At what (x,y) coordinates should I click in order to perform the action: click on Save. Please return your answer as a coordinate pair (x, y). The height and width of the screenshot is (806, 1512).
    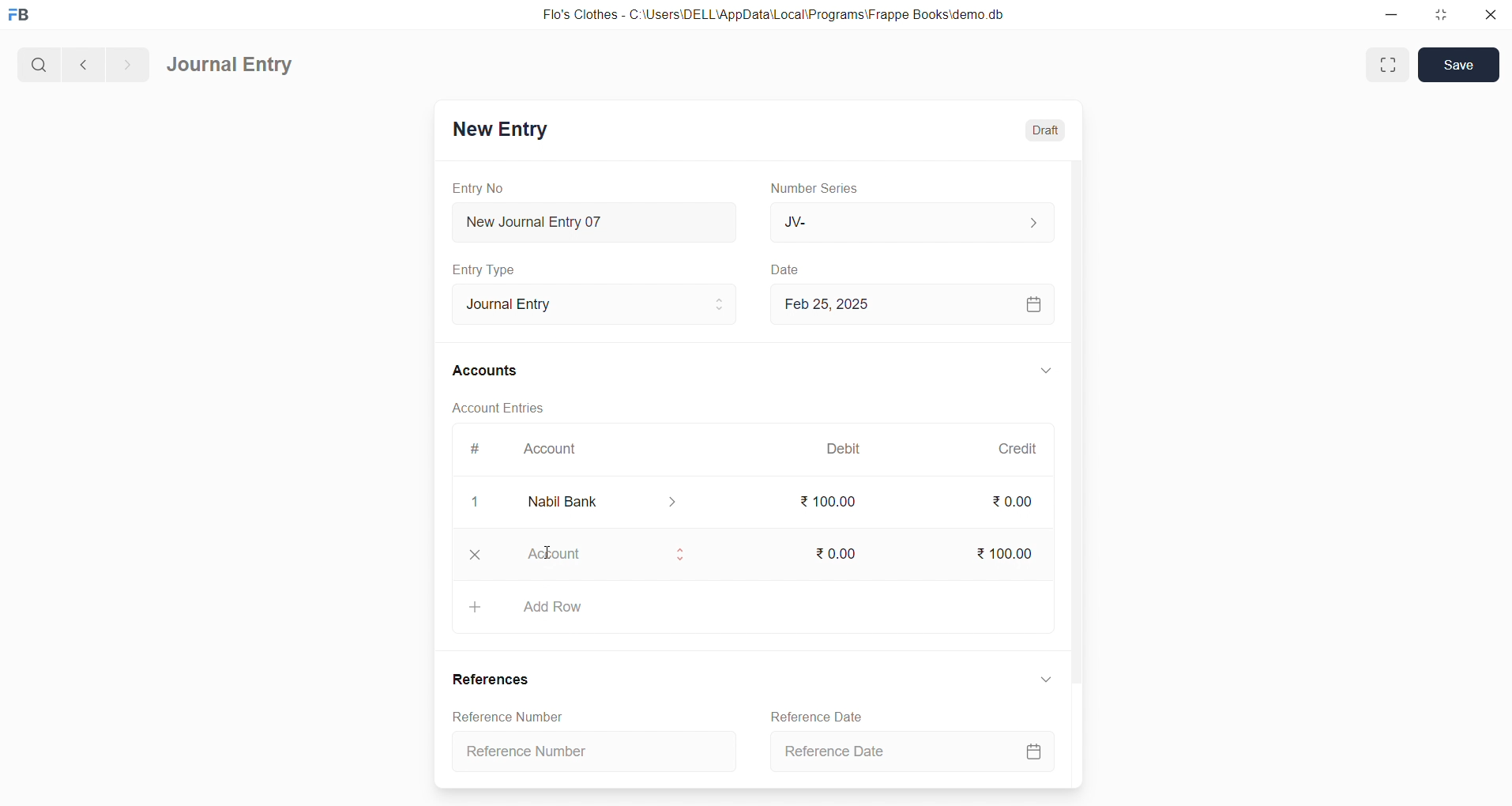
    Looking at the image, I should click on (1459, 65).